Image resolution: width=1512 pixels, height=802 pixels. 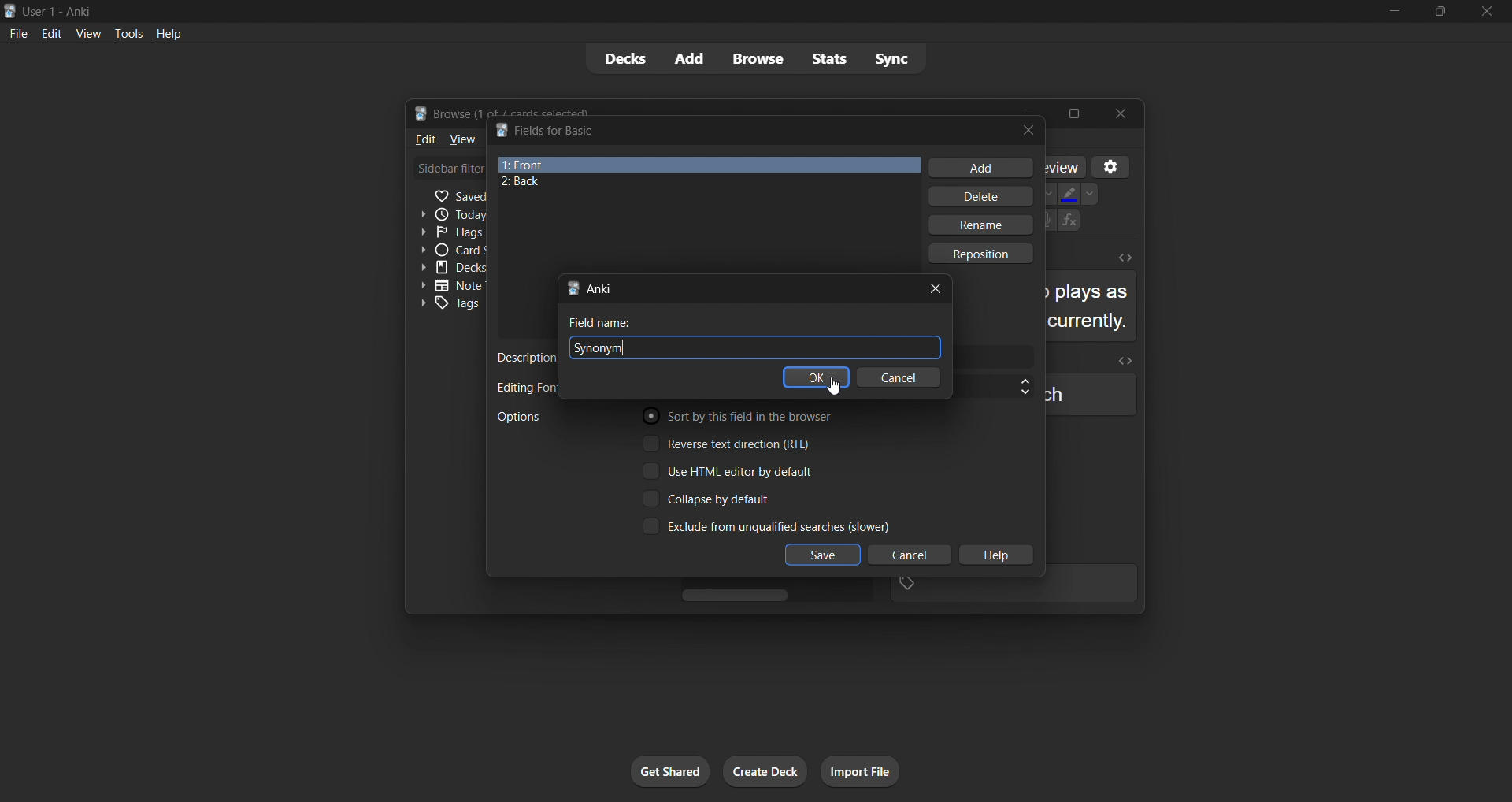 I want to click on front field, so click(x=708, y=162).